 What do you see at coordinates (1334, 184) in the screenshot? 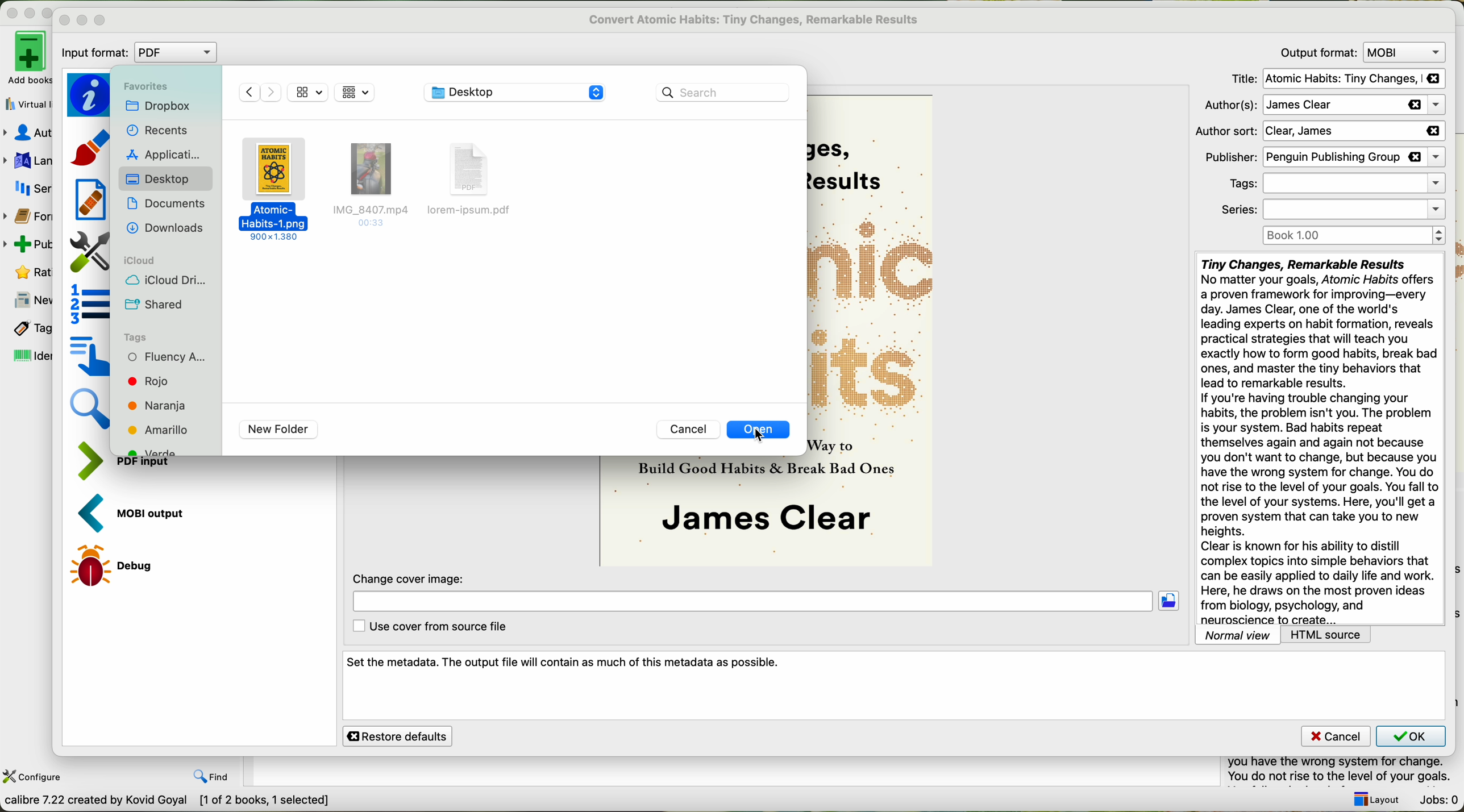
I see `tags` at bounding box center [1334, 184].